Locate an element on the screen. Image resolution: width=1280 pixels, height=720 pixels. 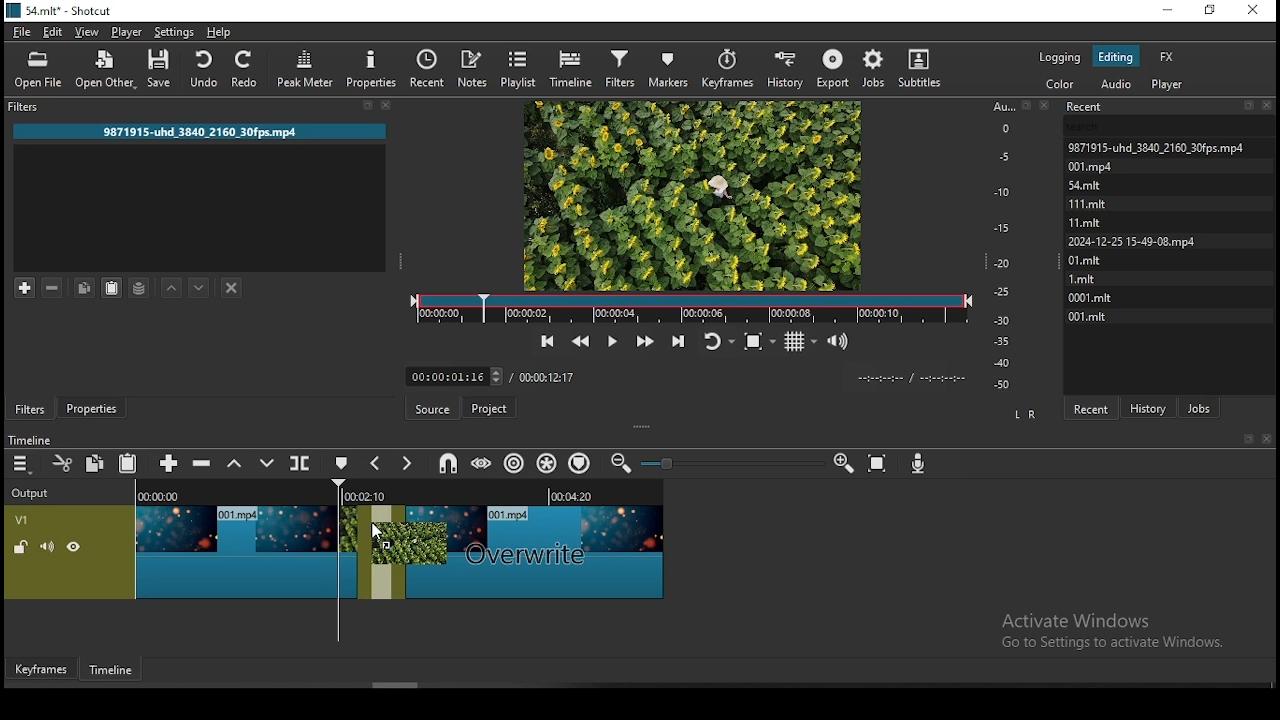
snap is located at coordinates (451, 462).